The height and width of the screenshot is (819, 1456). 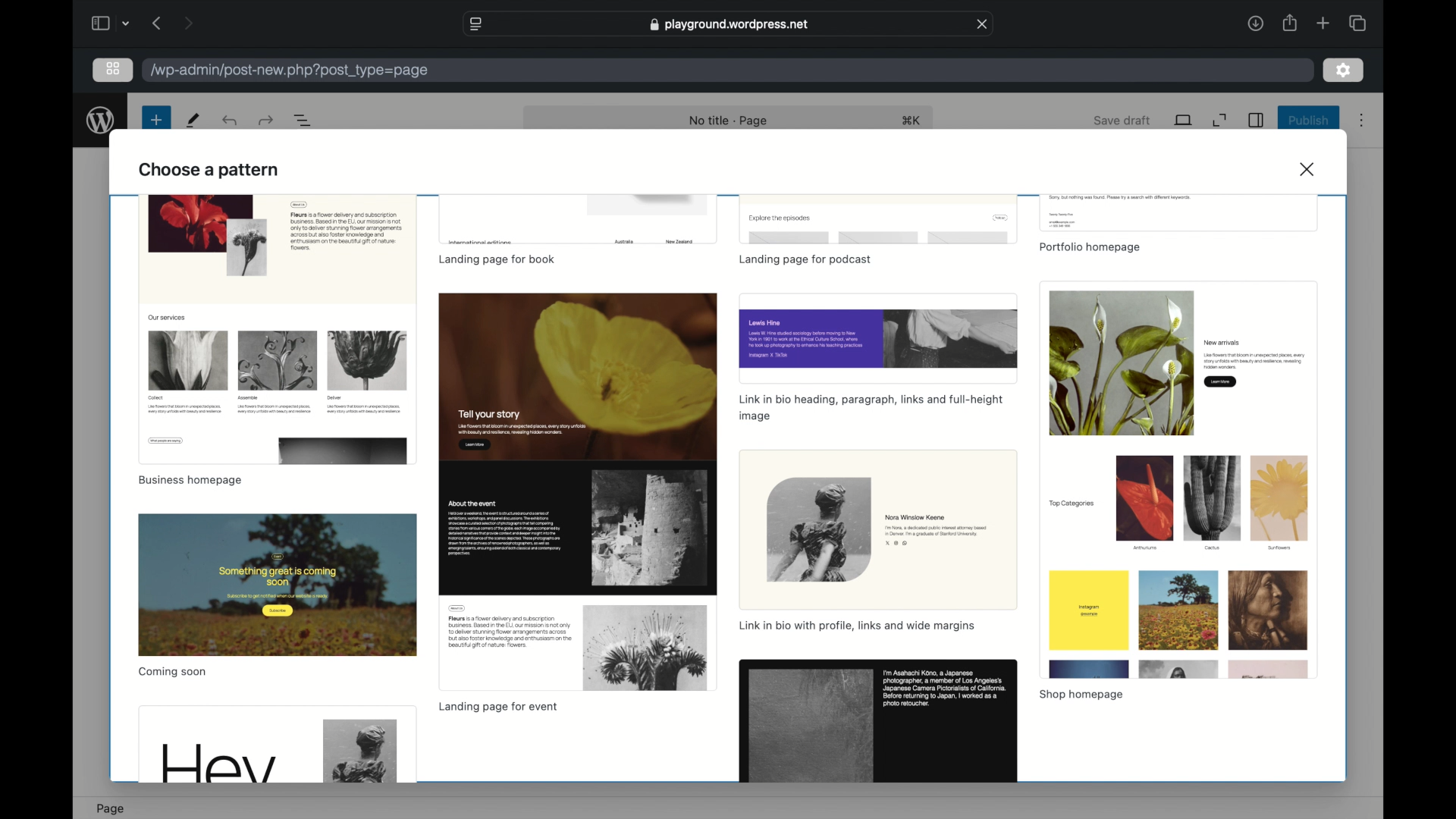 What do you see at coordinates (1178, 481) in the screenshot?
I see `preview` at bounding box center [1178, 481].